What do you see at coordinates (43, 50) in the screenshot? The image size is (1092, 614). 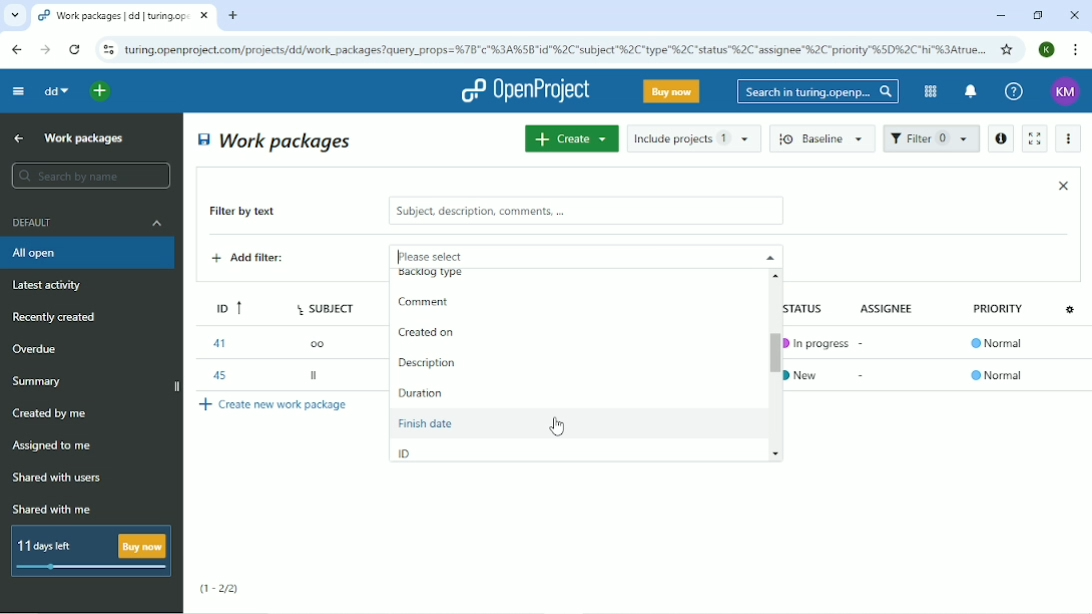 I see `Forward` at bounding box center [43, 50].